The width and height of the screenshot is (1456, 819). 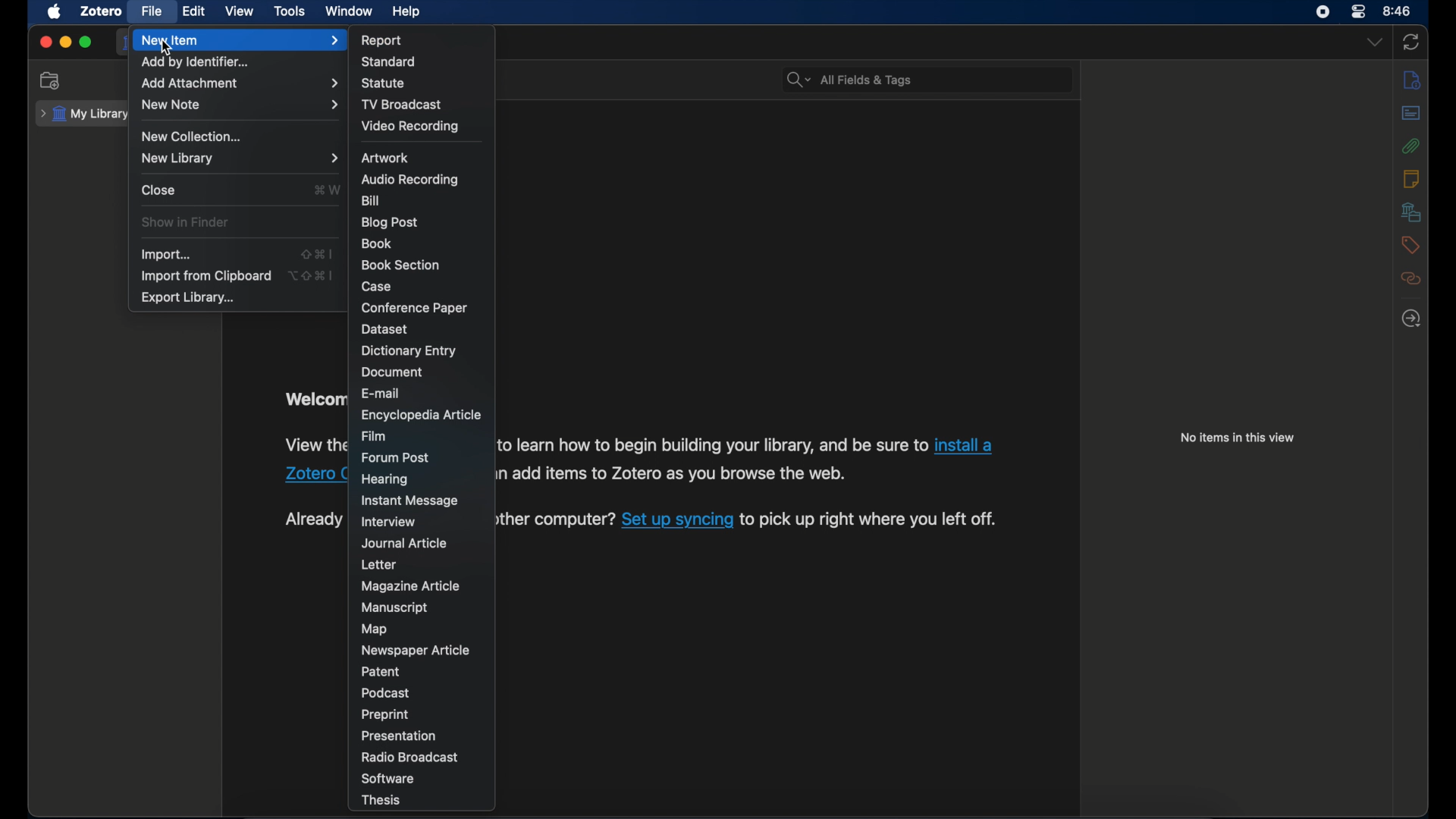 I want to click on message, so click(x=411, y=501).